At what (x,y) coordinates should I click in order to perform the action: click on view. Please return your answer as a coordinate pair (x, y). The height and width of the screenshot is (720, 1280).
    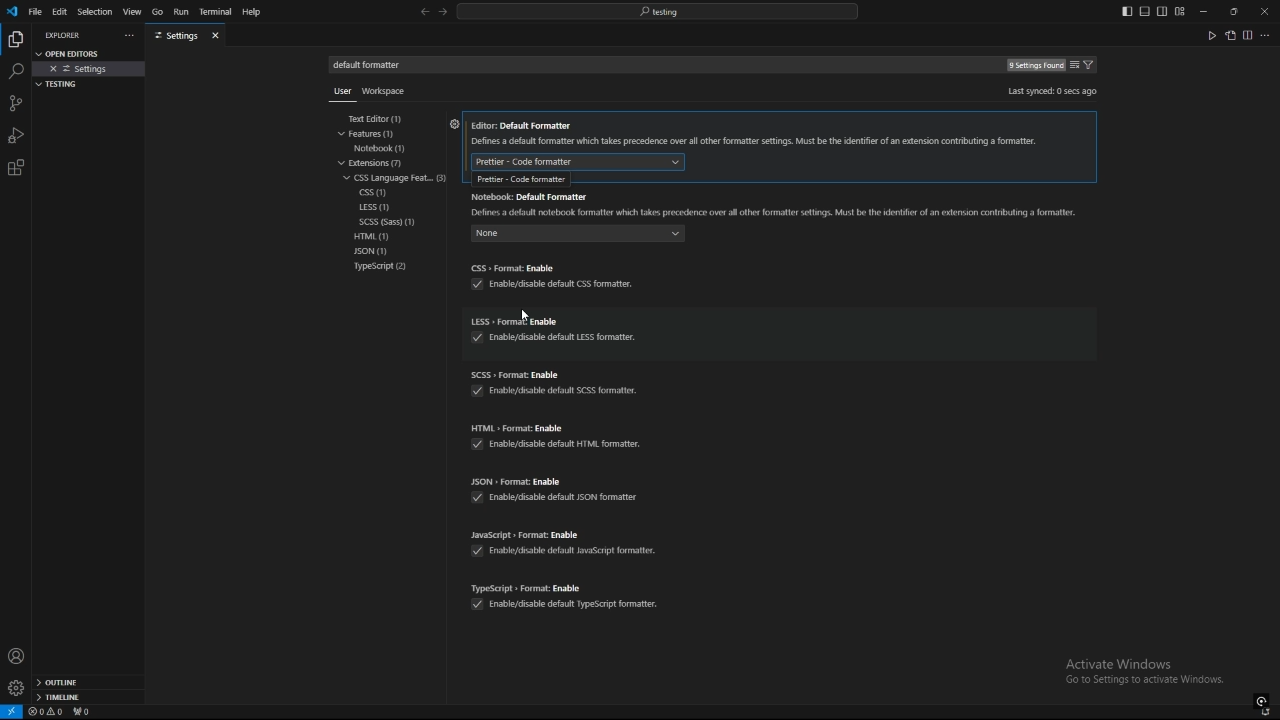
    Looking at the image, I should click on (132, 12).